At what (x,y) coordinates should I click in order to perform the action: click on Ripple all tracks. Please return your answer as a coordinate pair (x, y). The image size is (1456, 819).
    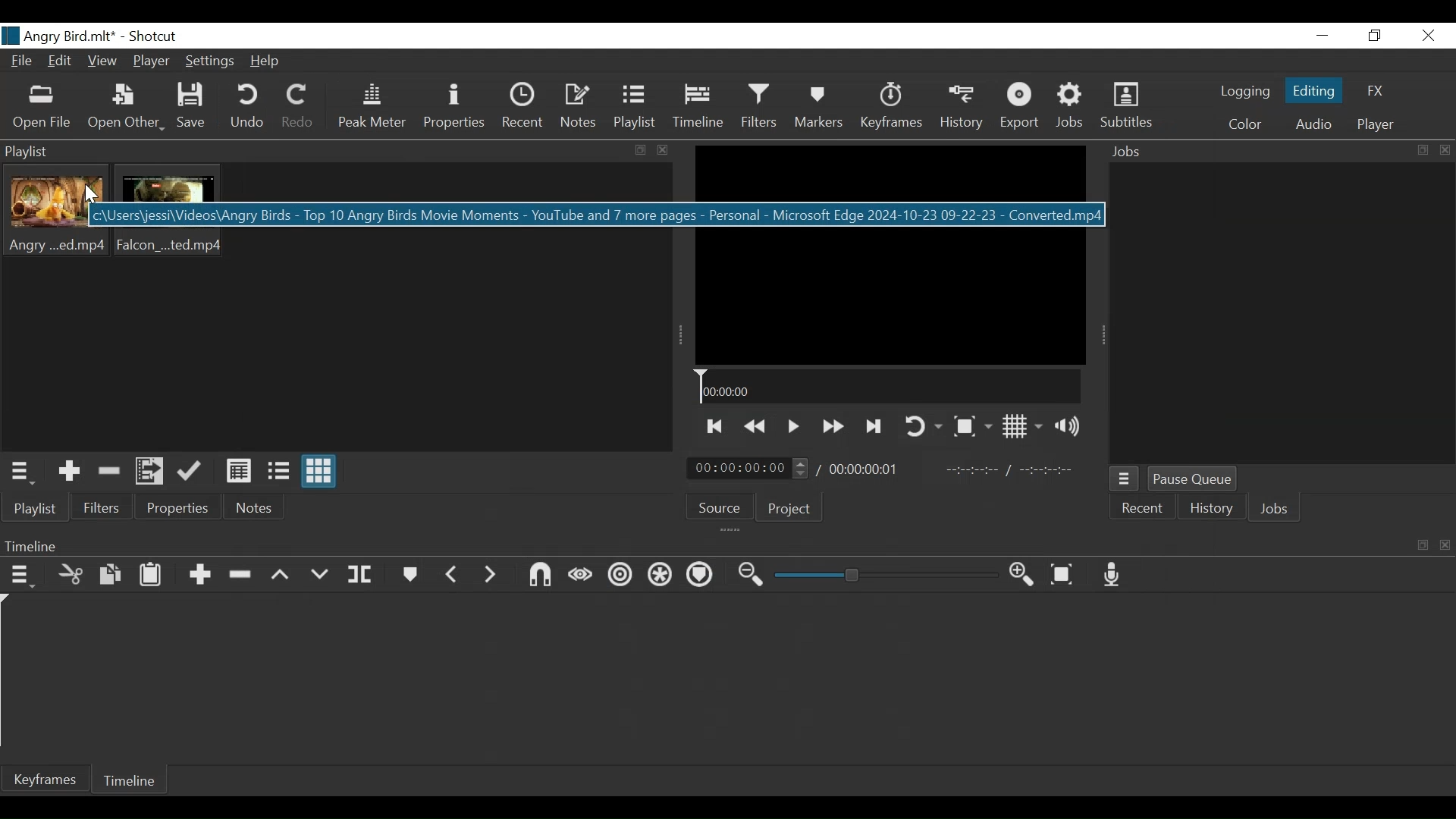
    Looking at the image, I should click on (661, 577).